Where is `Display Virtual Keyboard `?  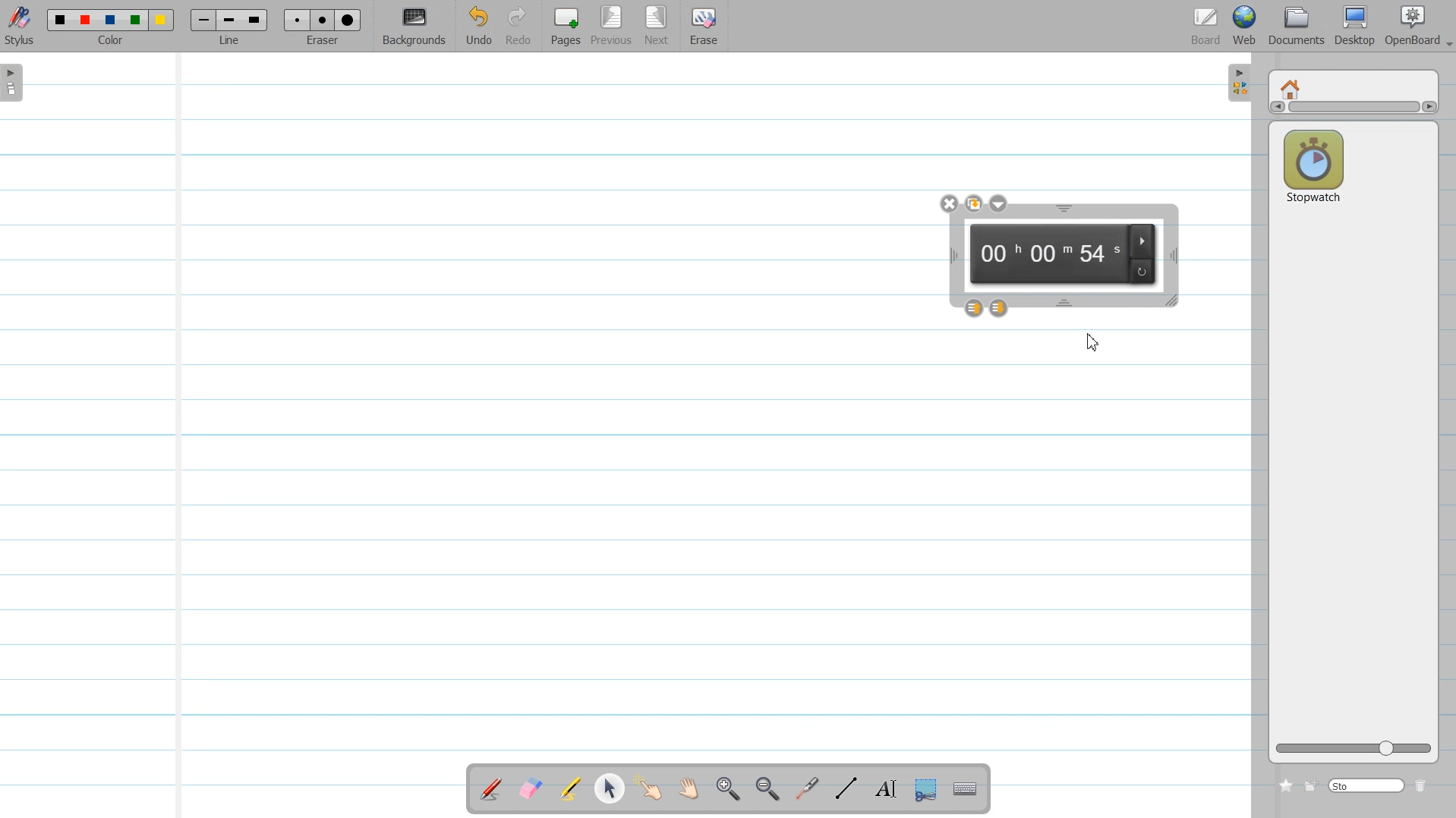
Display Virtual Keyboard  is located at coordinates (967, 789).